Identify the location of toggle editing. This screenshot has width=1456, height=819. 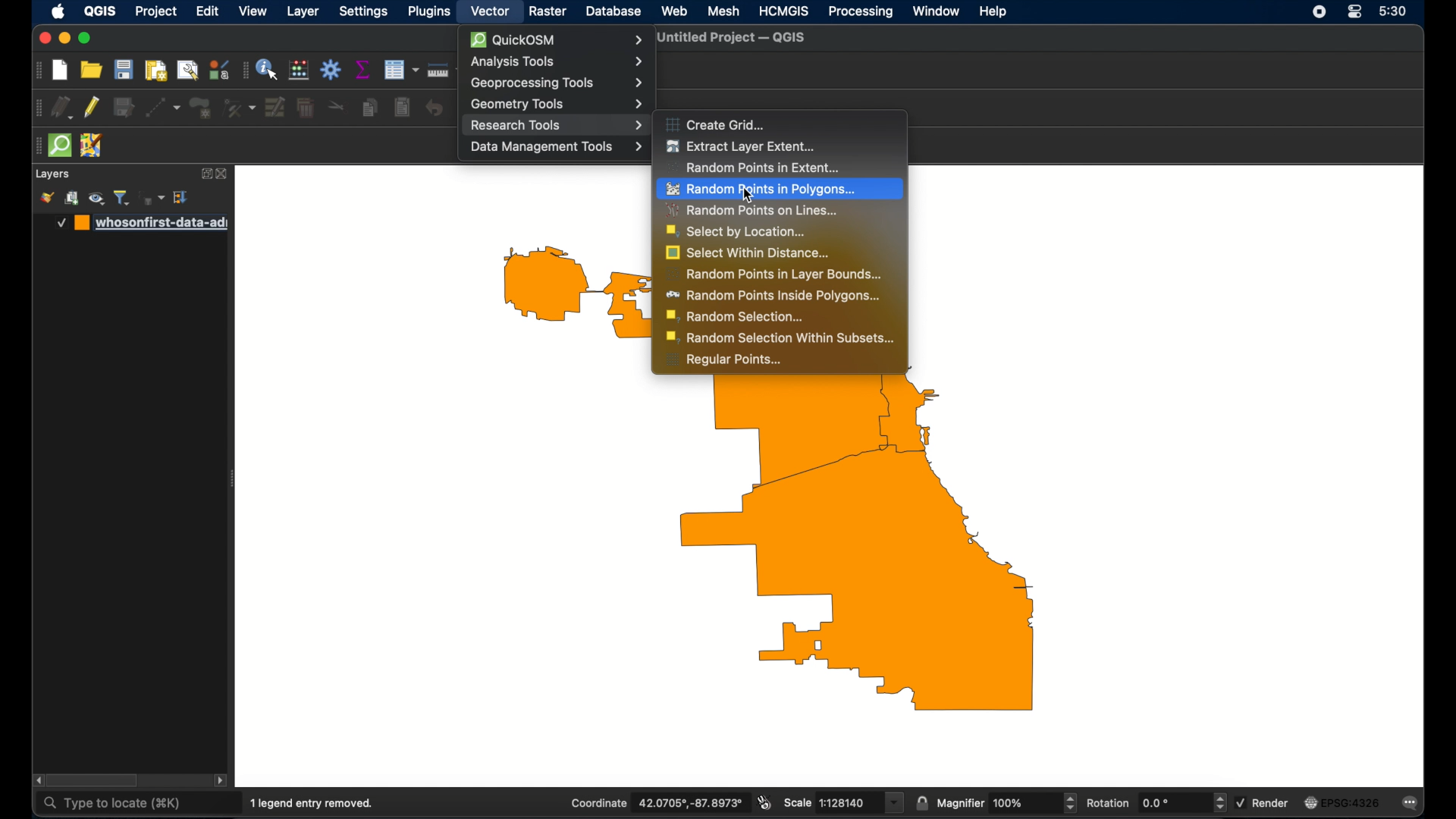
(92, 108).